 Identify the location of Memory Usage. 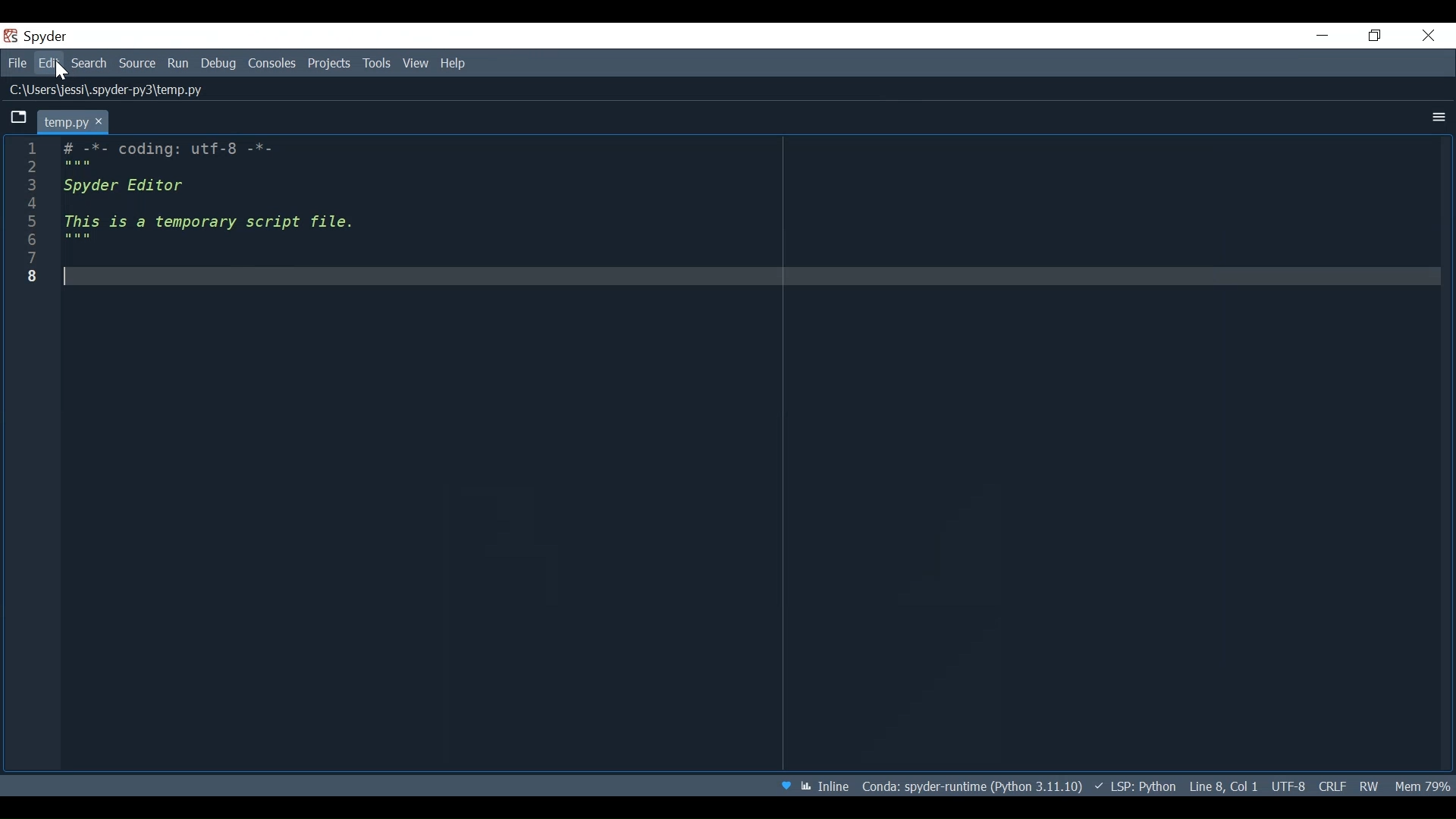
(1423, 784).